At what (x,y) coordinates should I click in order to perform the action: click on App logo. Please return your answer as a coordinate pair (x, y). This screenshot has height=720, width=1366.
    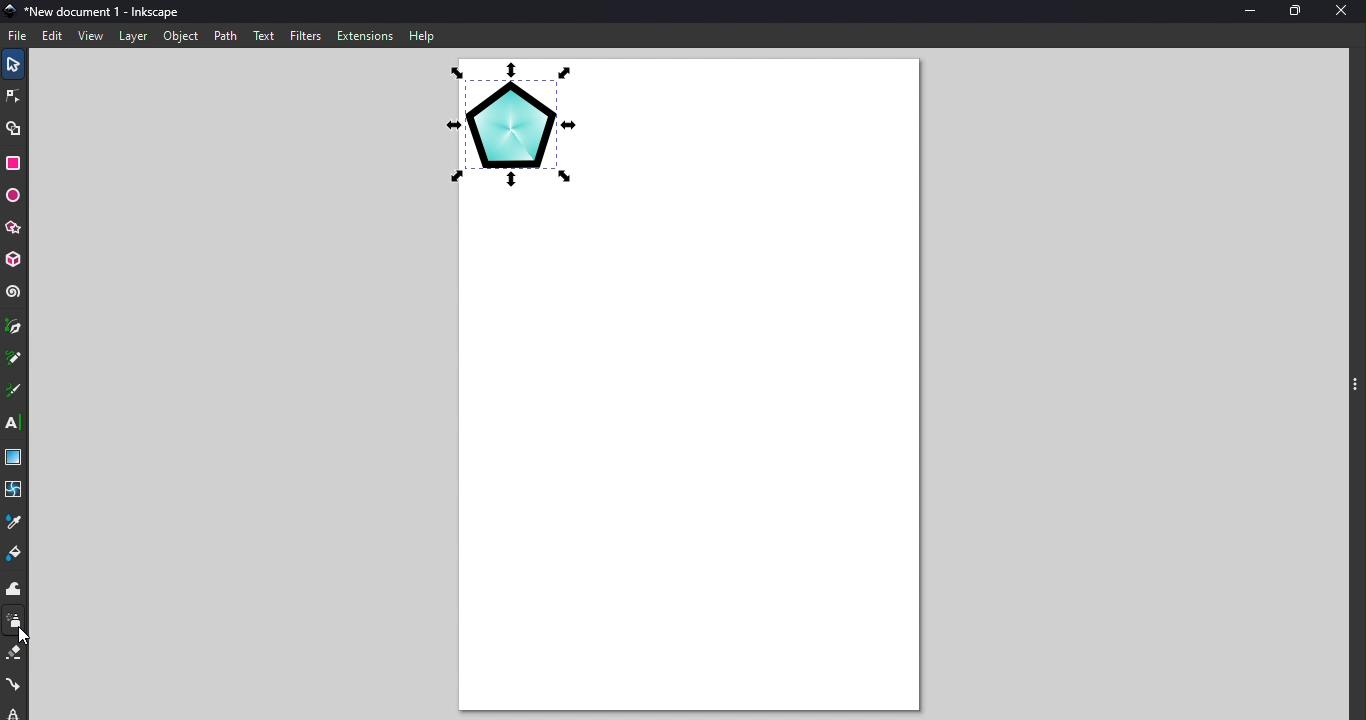
    Looking at the image, I should click on (9, 9).